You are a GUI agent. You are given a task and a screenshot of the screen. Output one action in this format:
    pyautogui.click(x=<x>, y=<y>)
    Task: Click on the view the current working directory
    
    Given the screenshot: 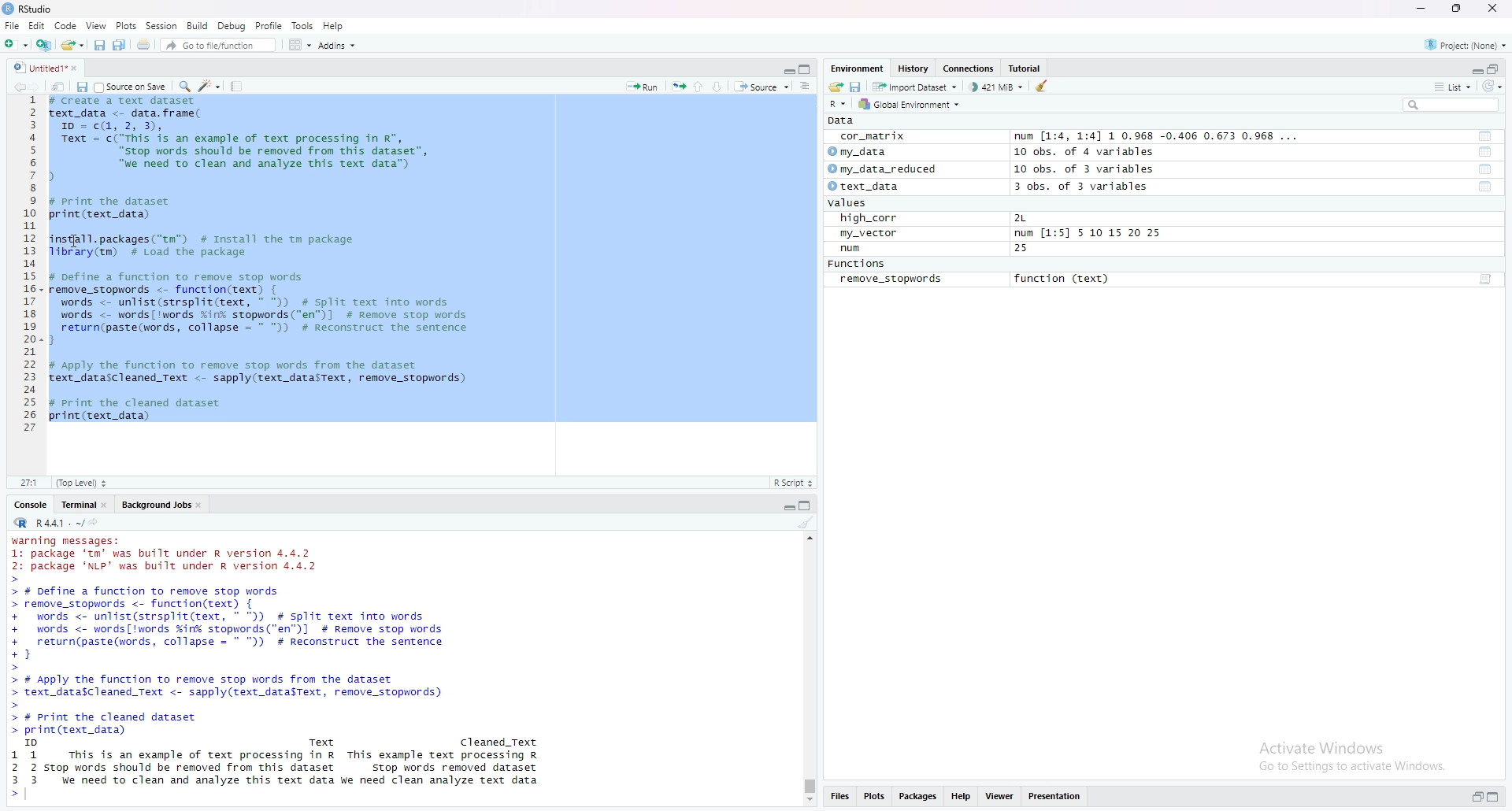 What is the action you would take?
    pyautogui.click(x=97, y=524)
    